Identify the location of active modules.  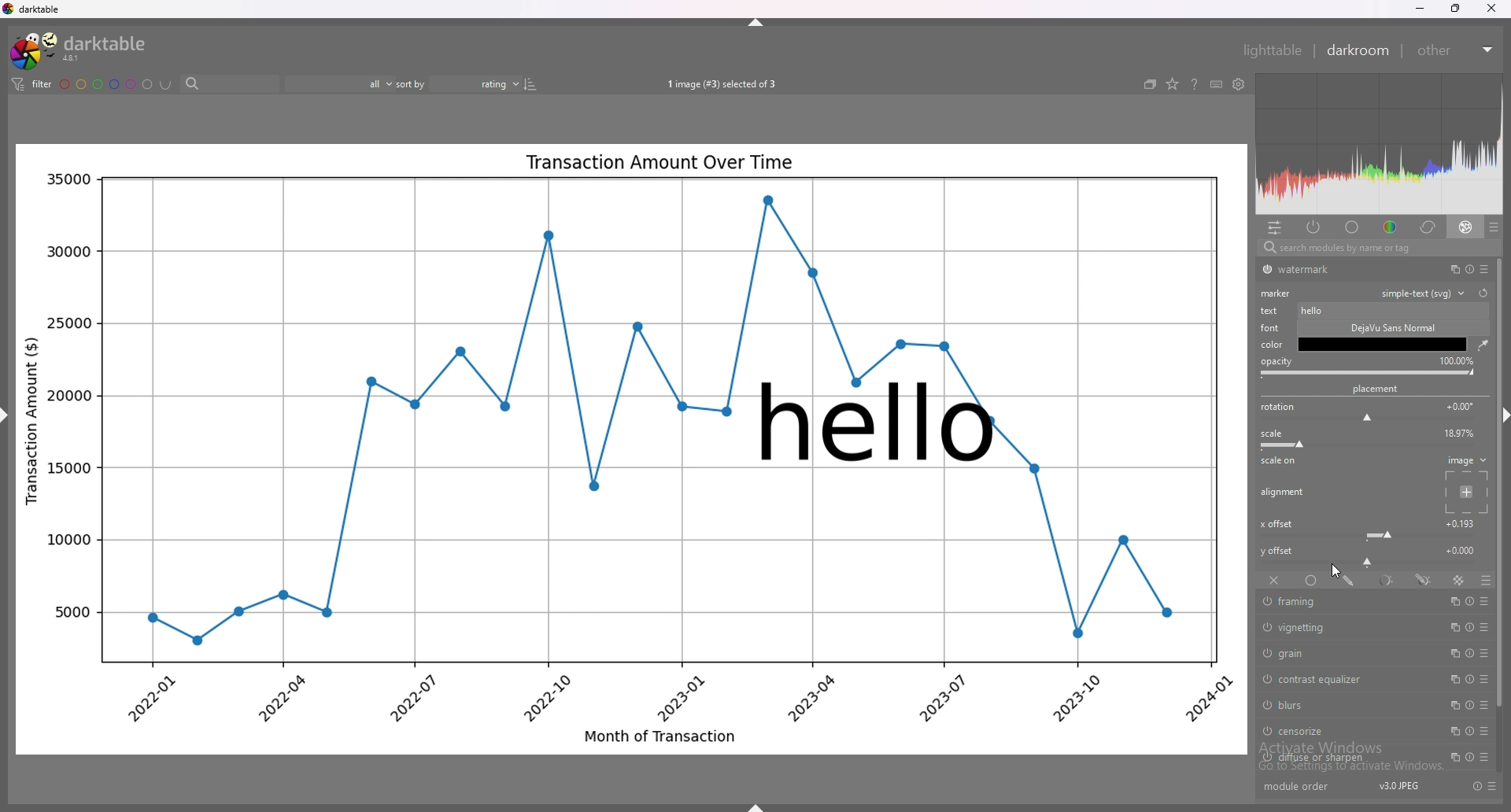
(1315, 228).